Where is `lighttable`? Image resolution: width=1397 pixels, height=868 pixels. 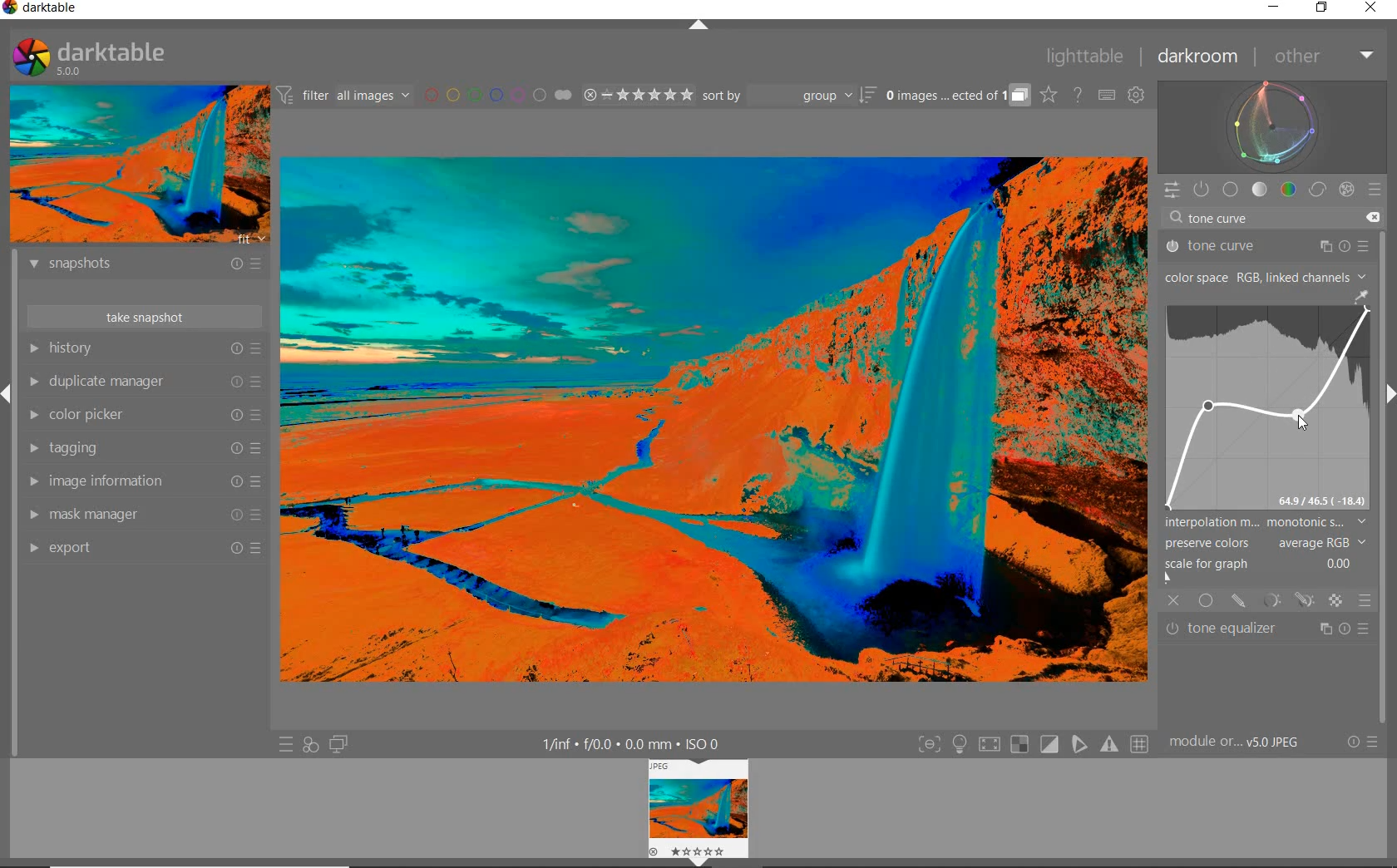 lighttable is located at coordinates (1089, 57).